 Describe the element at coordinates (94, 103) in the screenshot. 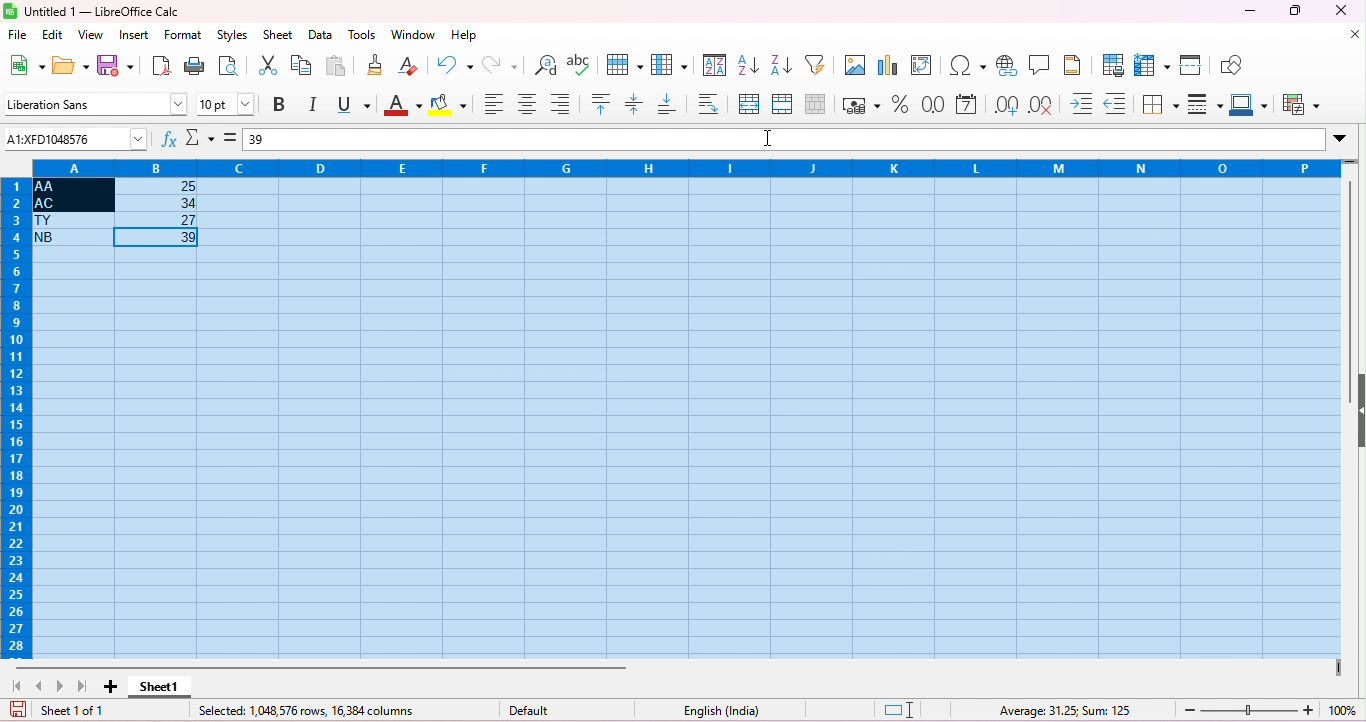

I see `font style` at that location.